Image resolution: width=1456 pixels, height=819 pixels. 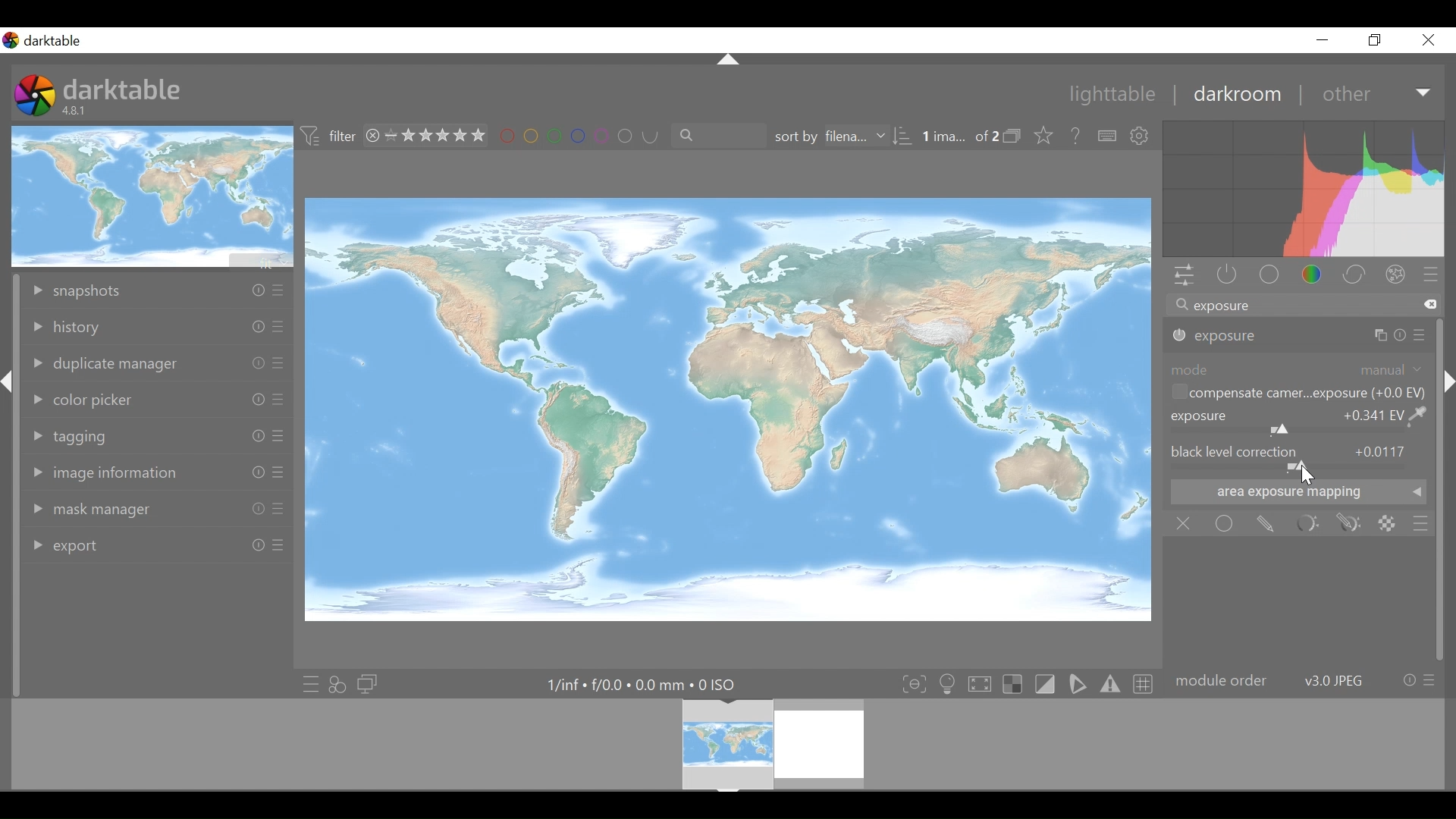 What do you see at coordinates (1296, 497) in the screenshot?
I see `error exposure mapping` at bounding box center [1296, 497].